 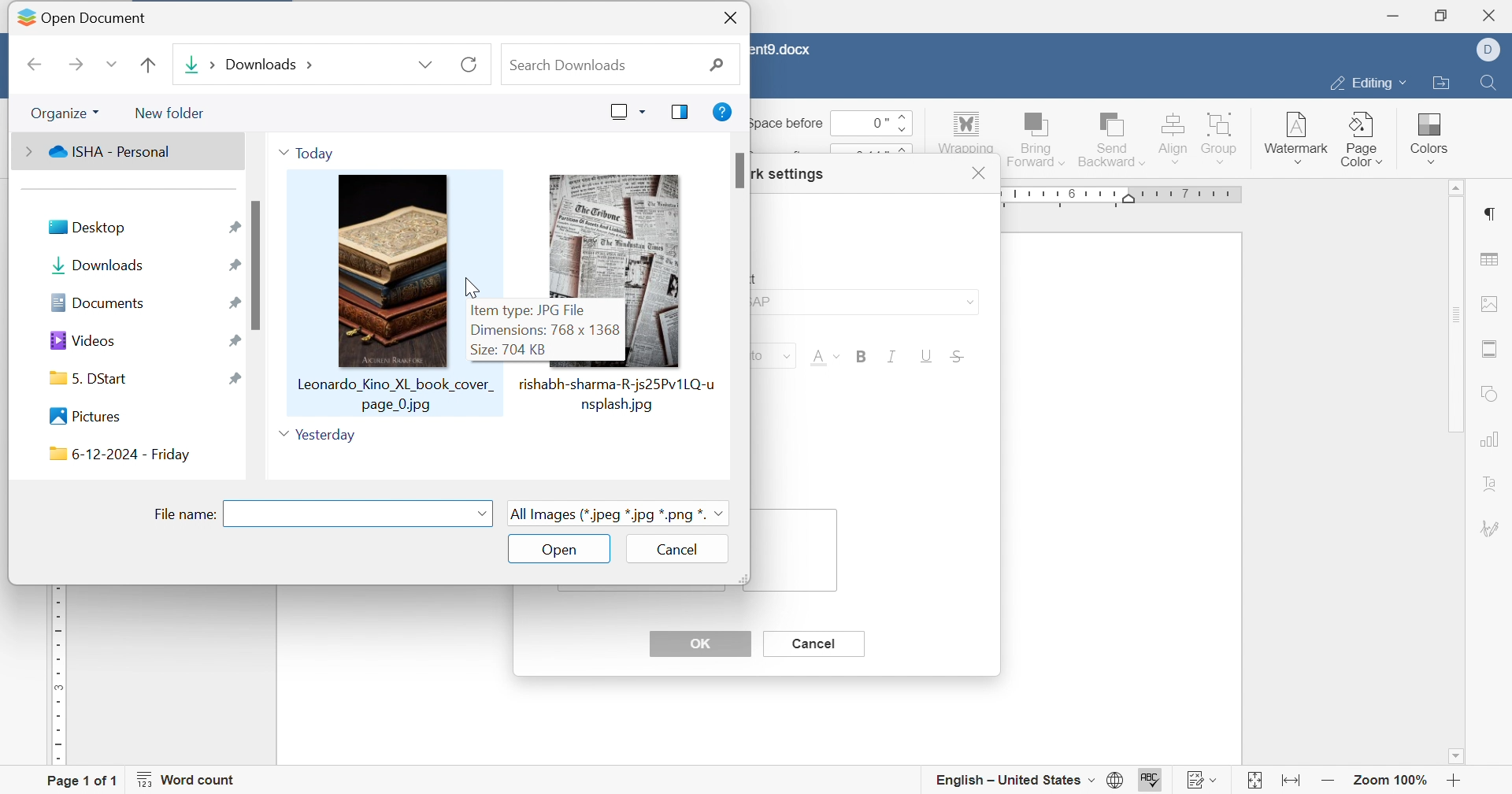 What do you see at coordinates (1295, 133) in the screenshot?
I see `watermark` at bounding box center [1295, 133].